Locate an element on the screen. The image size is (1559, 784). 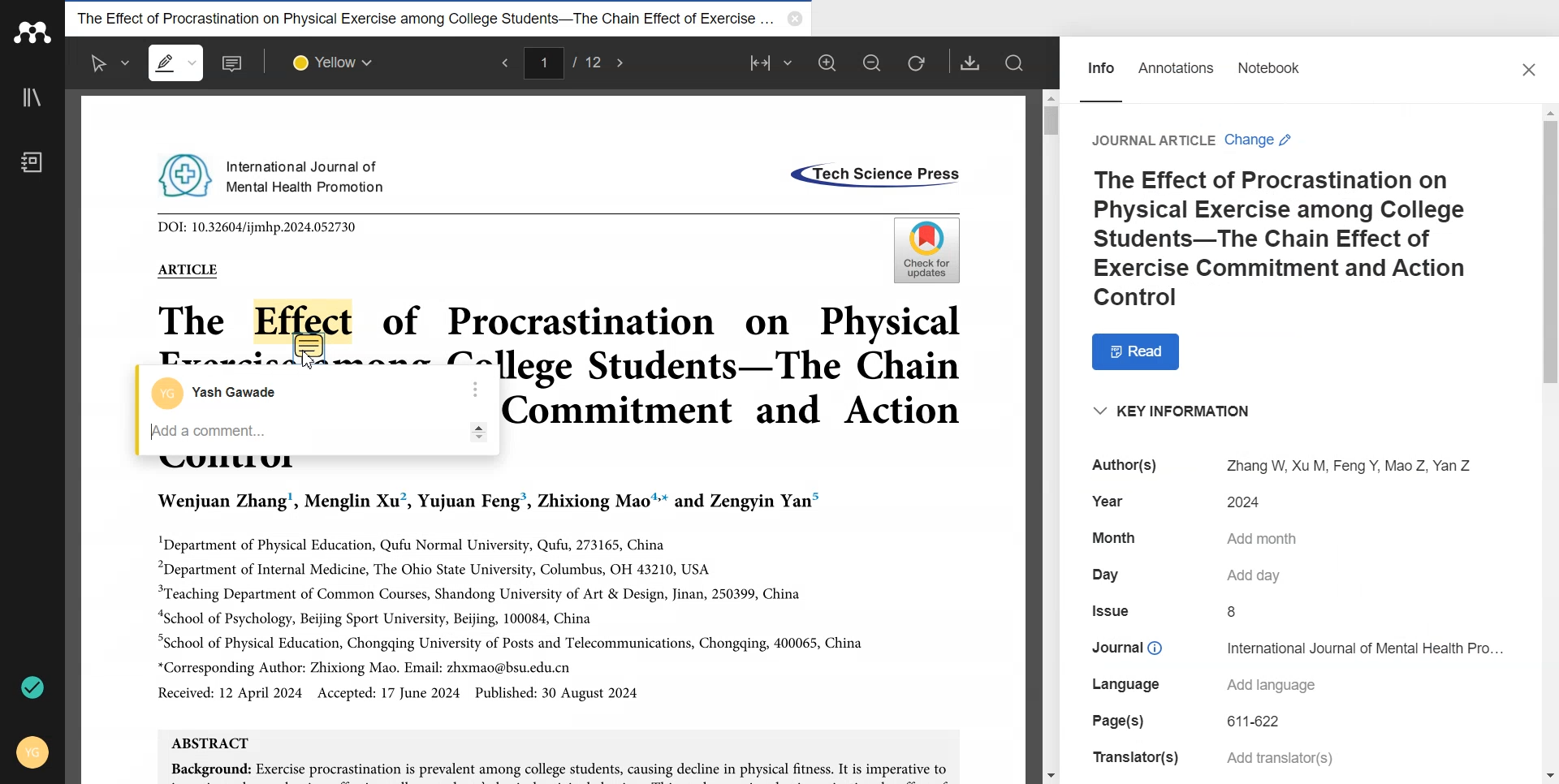
DOI: 10.32604/ijmhp.2024.052730 is located at coordinates (257, 226).